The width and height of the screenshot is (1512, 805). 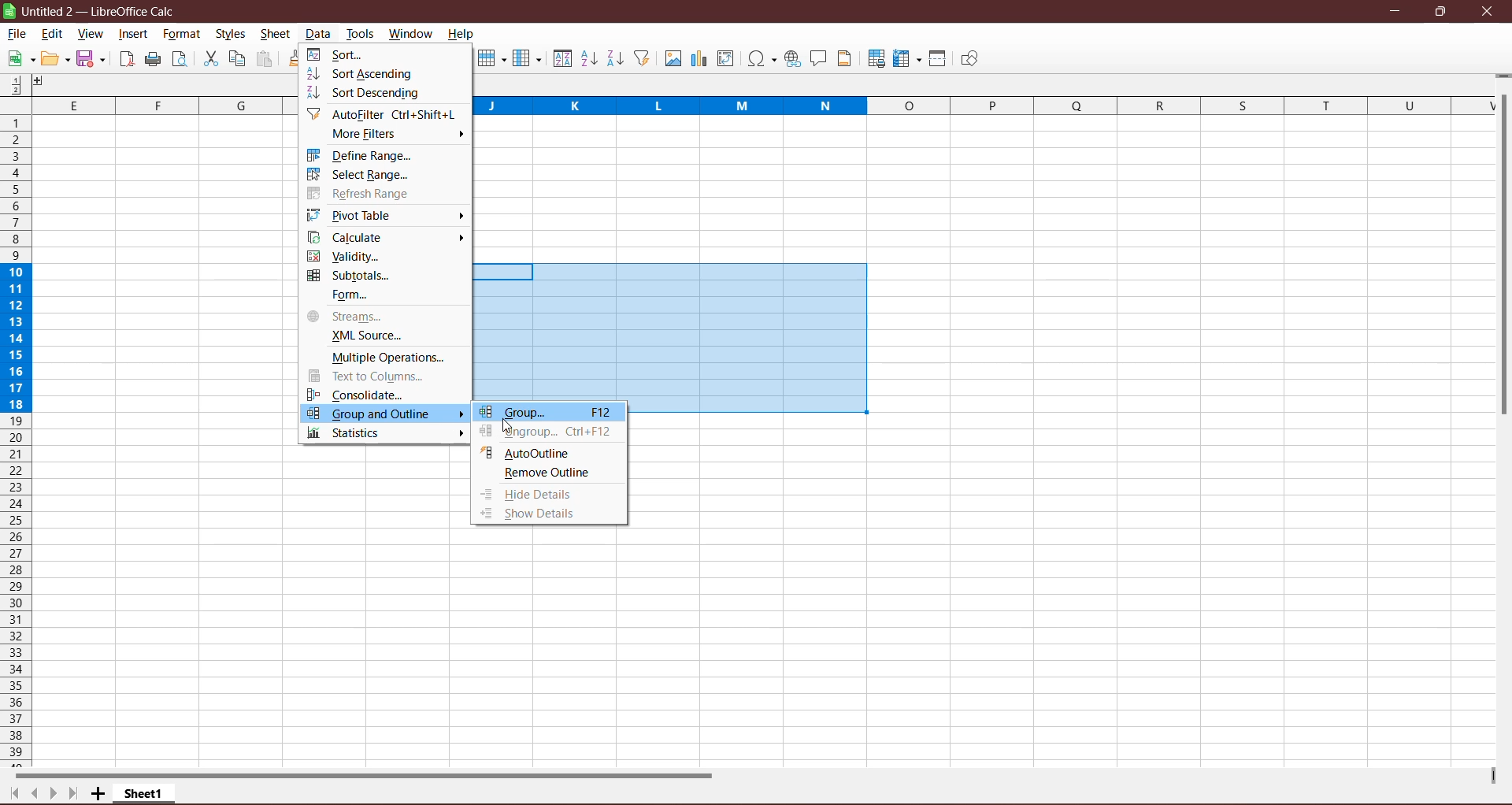 What do you see at coordinates (348, 295) in the screenshot?
I see `Form` at bounding box center [348, 295].